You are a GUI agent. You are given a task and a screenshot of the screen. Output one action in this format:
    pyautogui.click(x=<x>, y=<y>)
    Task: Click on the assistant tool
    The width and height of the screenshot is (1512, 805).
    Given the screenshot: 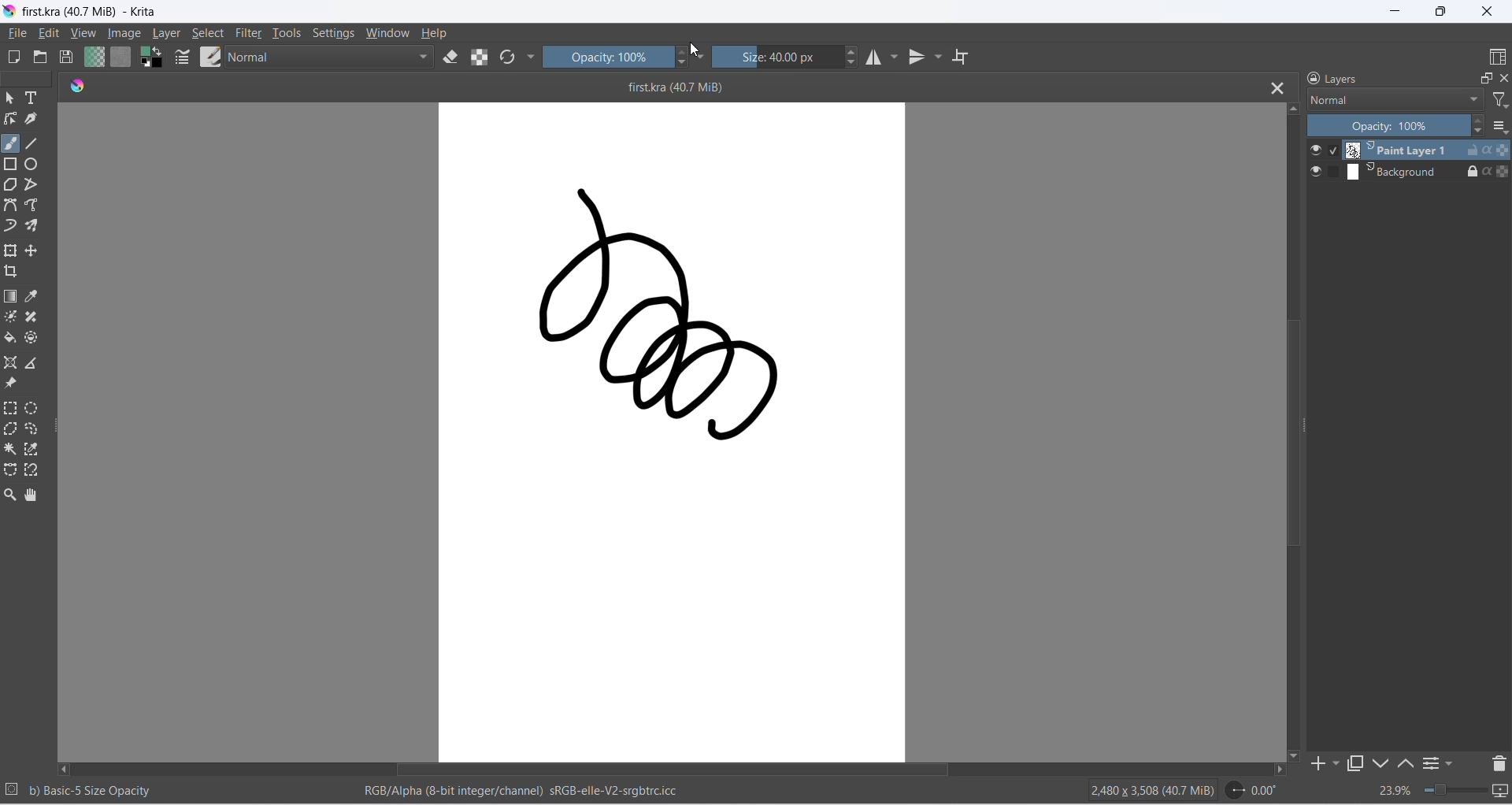 What is the action you would take?
    pyautogui.click(x=10, y=363)
    